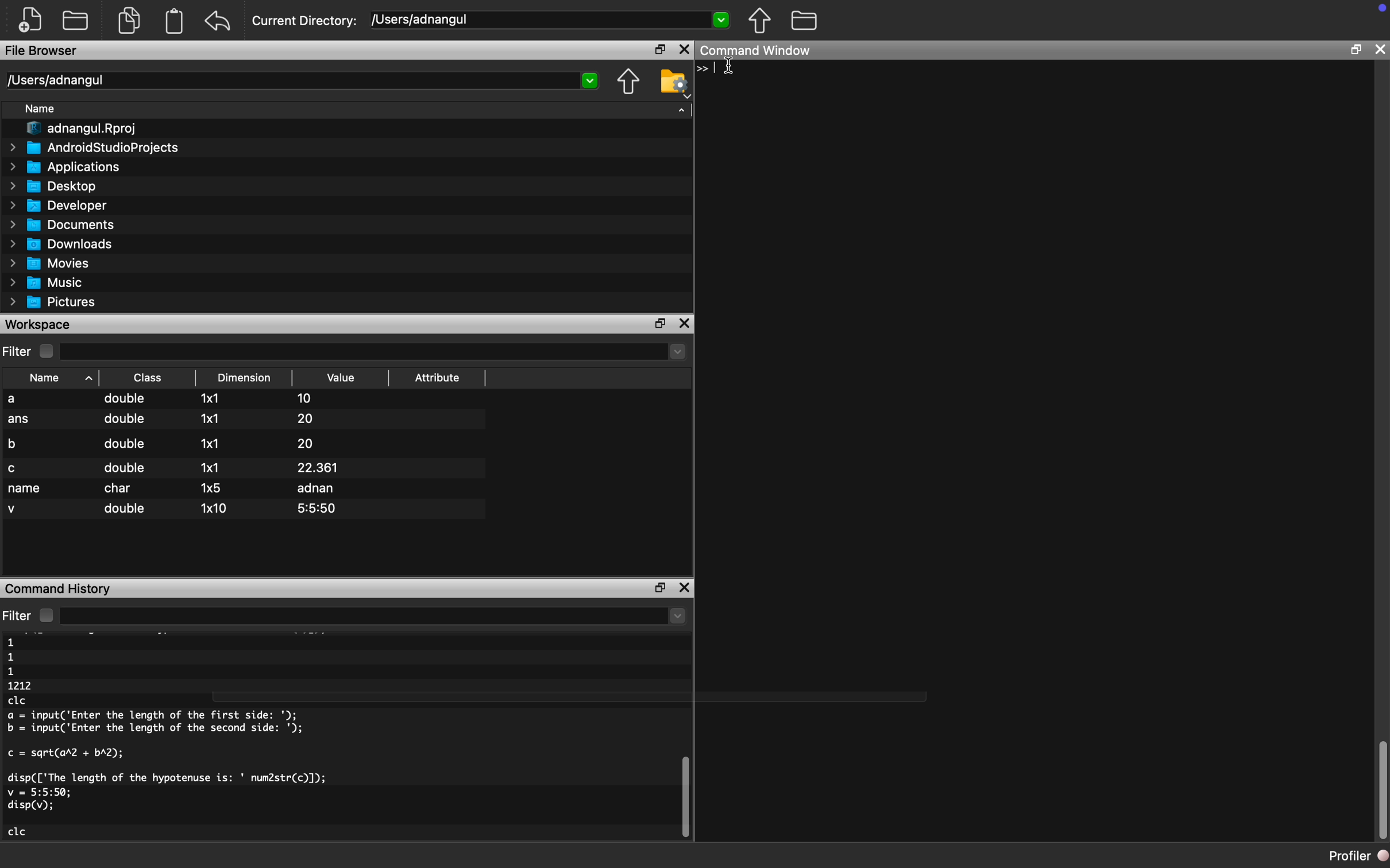  Describe the element at coordinates (1380, 49) in the screenshot. I see `close` at that location.